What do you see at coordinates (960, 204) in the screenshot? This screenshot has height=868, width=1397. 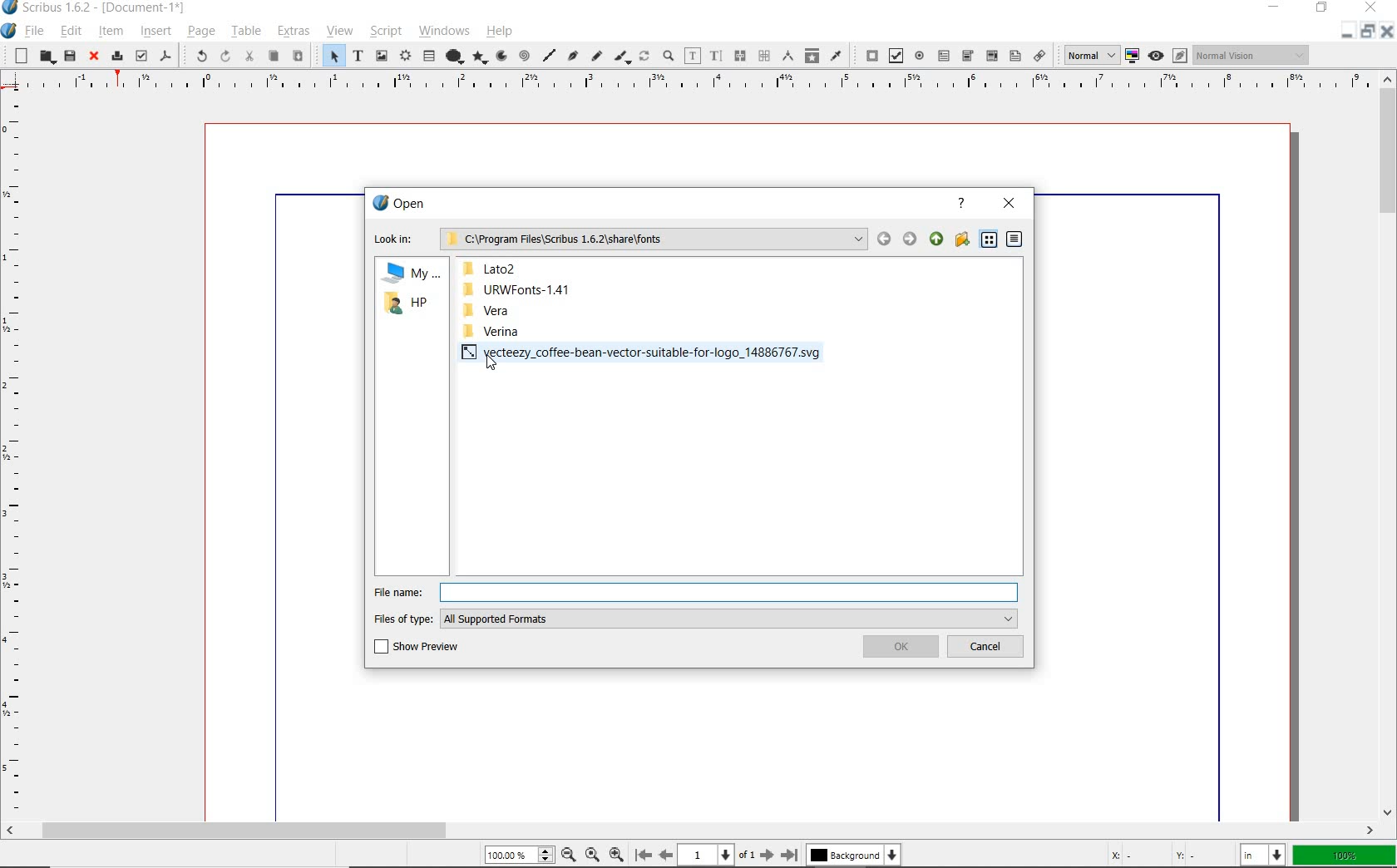 I see `help` at bounding box center [960, 204].